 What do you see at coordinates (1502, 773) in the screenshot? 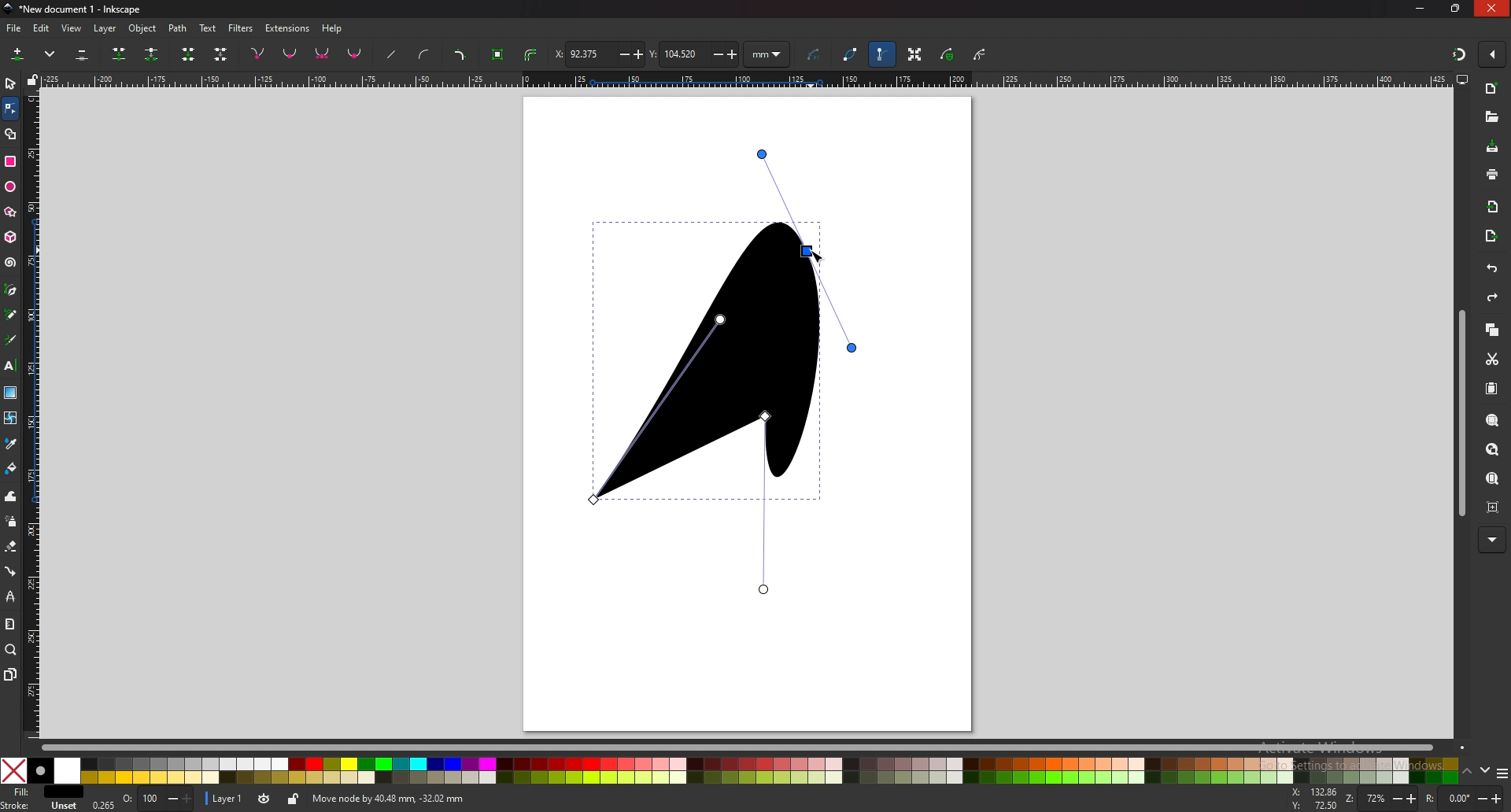
I see `options` at bounding box center [1502, 773].